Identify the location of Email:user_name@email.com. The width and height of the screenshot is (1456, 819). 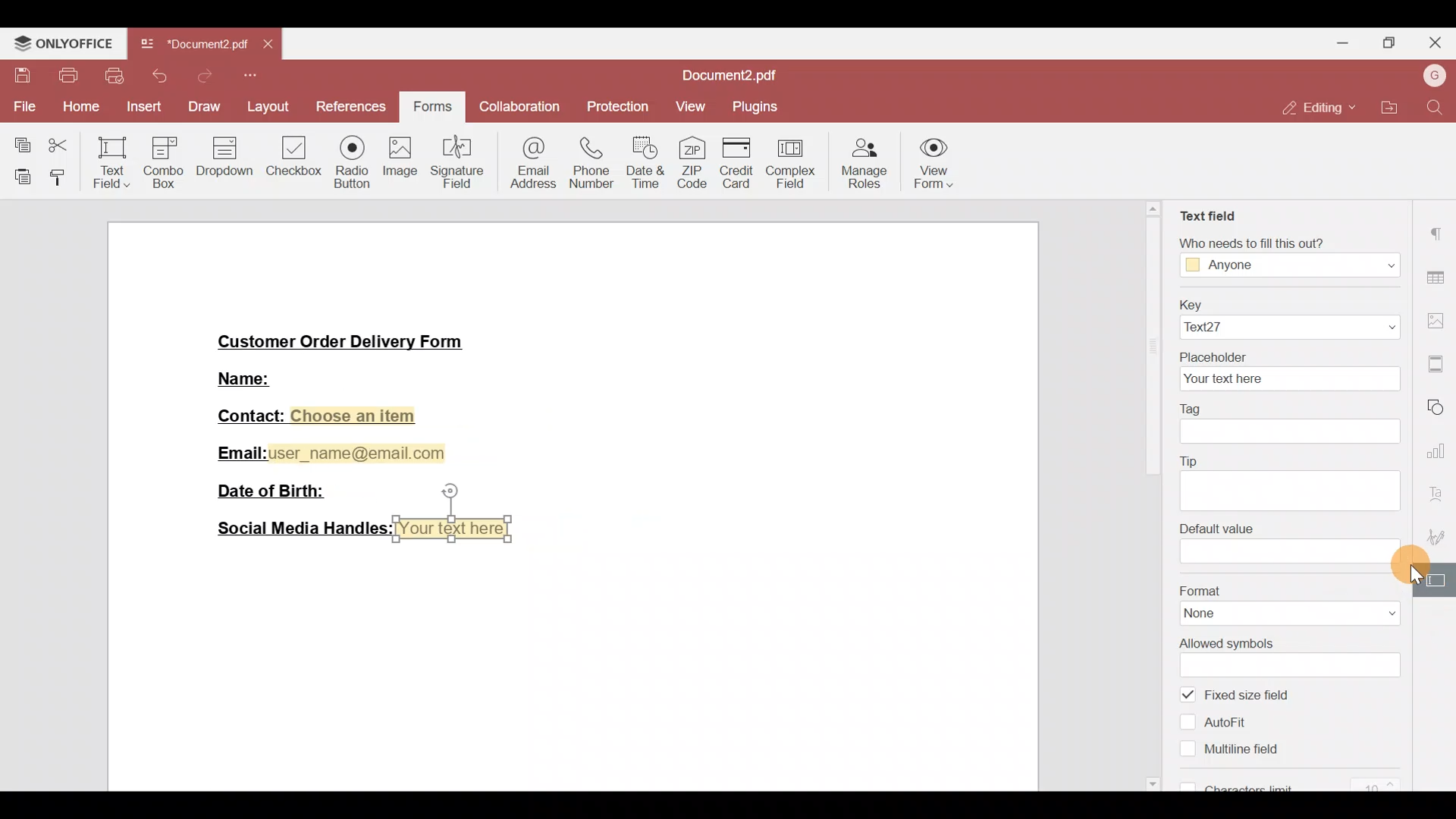
(332, 450).